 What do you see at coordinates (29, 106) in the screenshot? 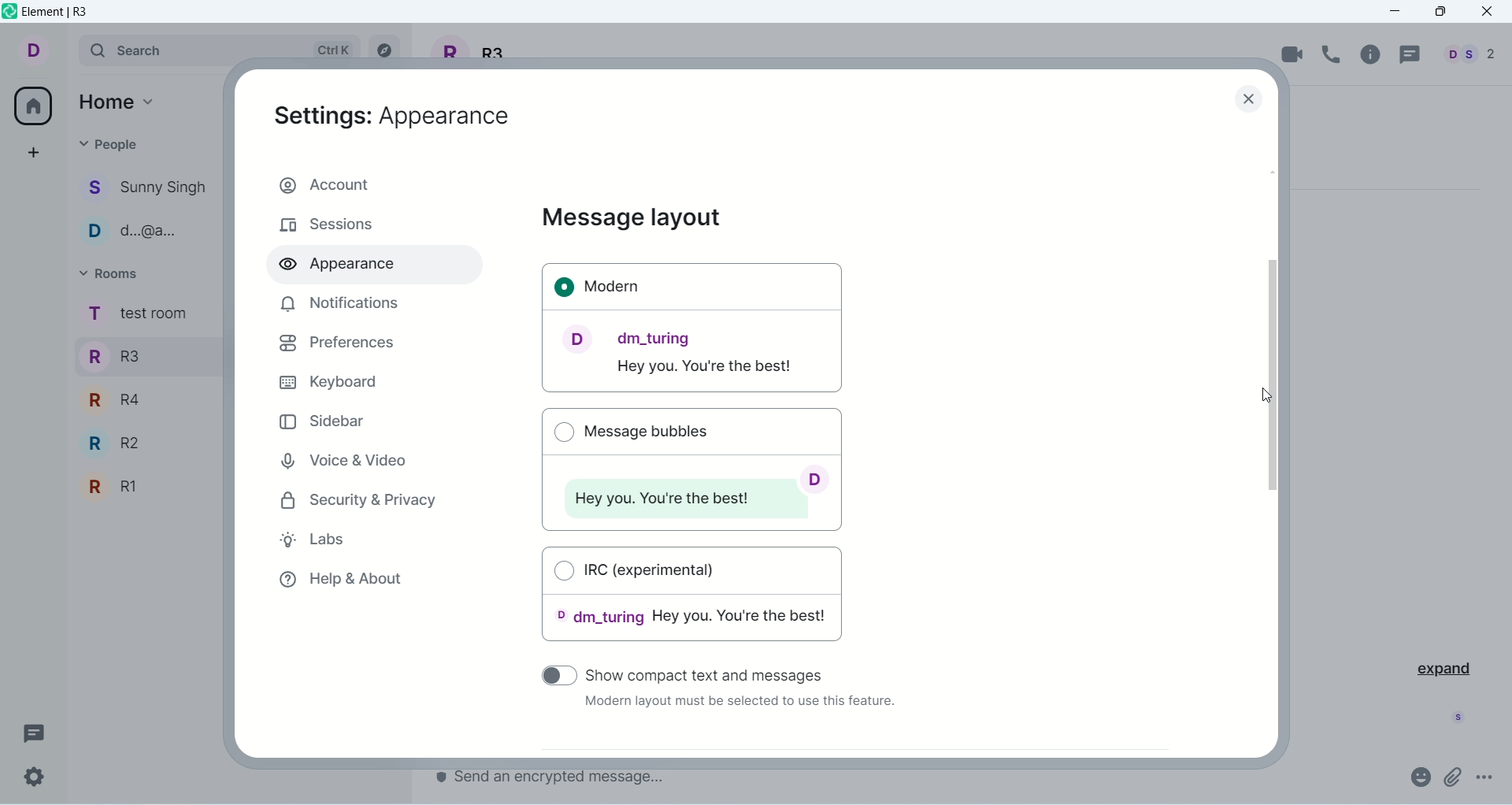
I see `all rooms` at bounding box center [29, 106].